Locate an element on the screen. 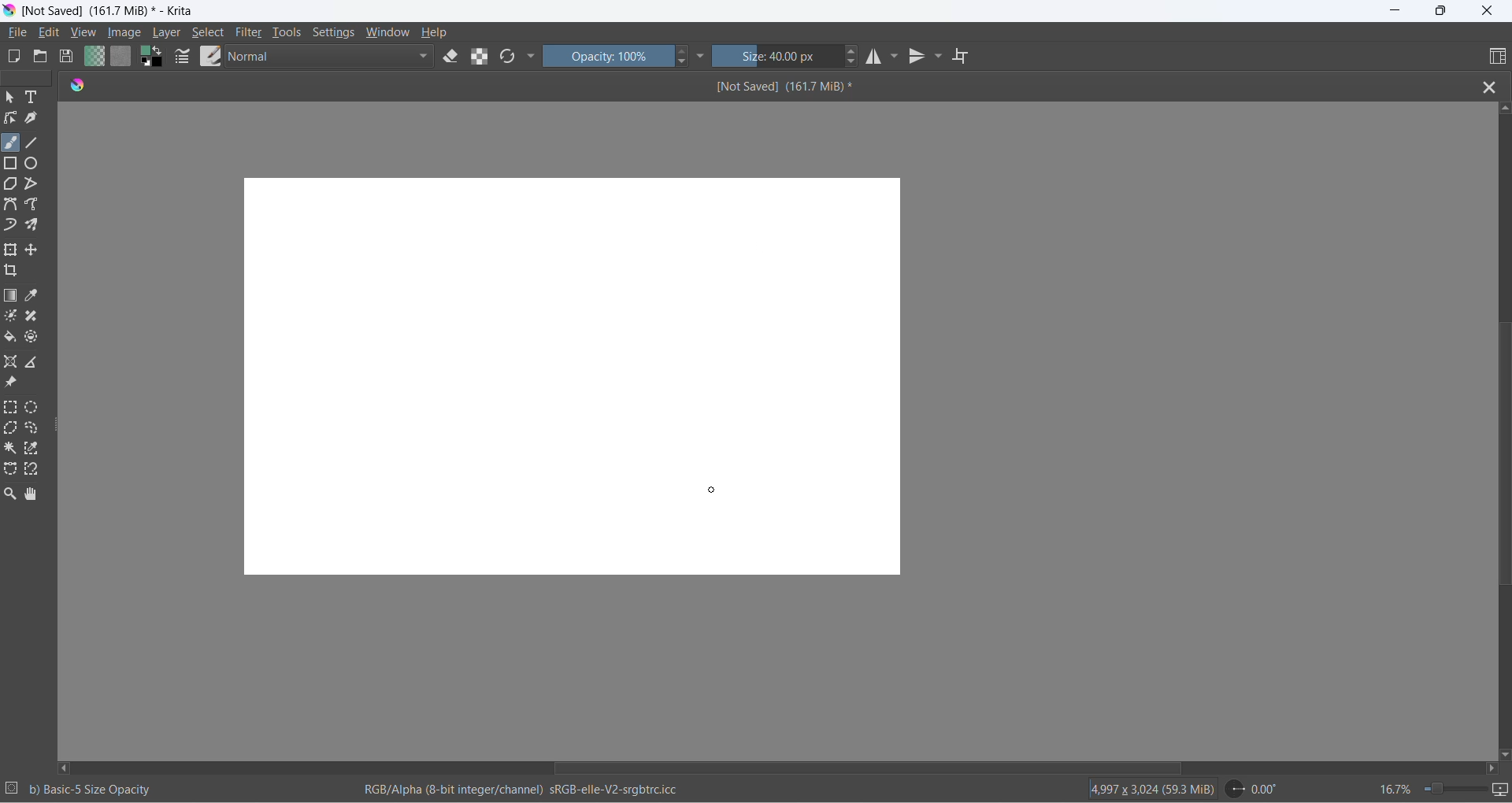 Image resolution: width=1512 pixels, height=803 pixels. brush presets is located at coordinates (210, 56).